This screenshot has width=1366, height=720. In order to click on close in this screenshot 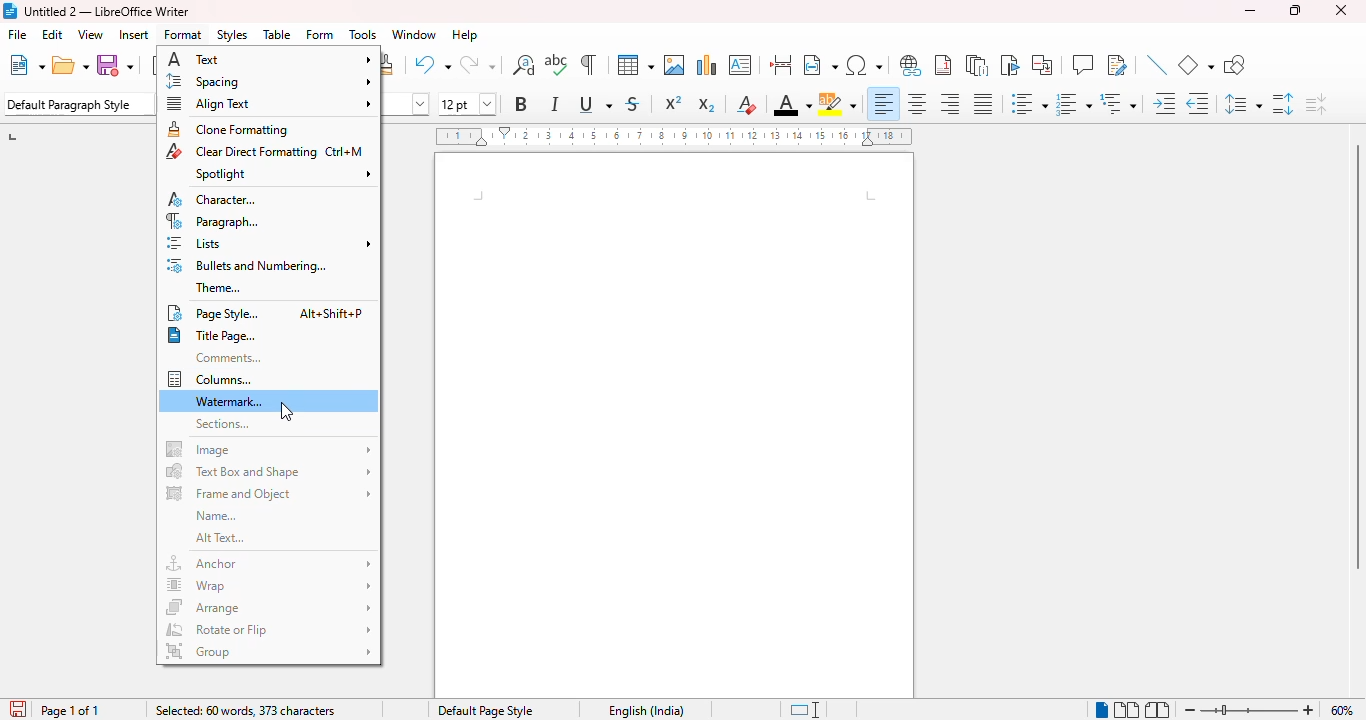, I will do `click(1341, 10)`.